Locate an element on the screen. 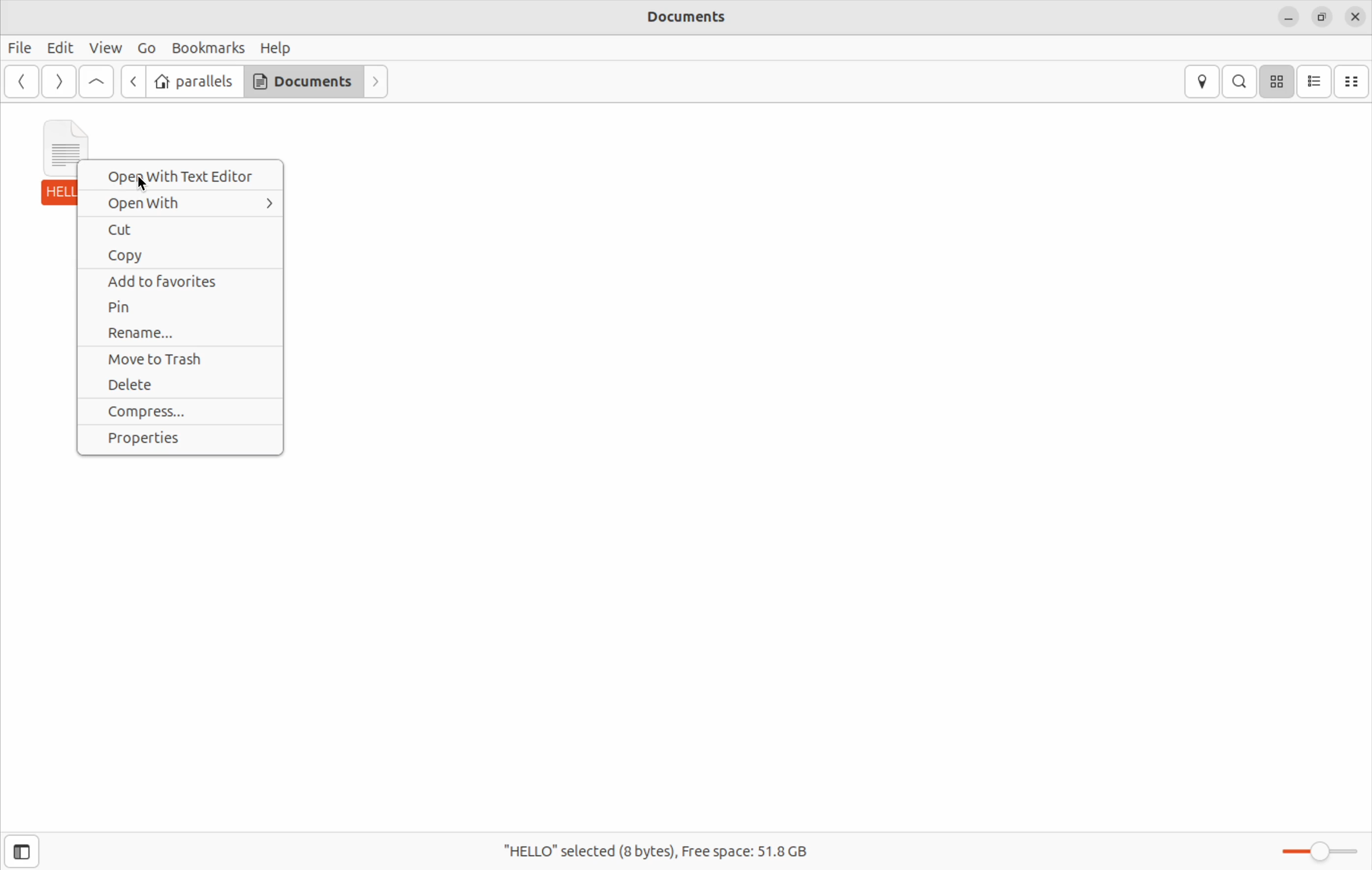  View is located at coordinates (107, 46).